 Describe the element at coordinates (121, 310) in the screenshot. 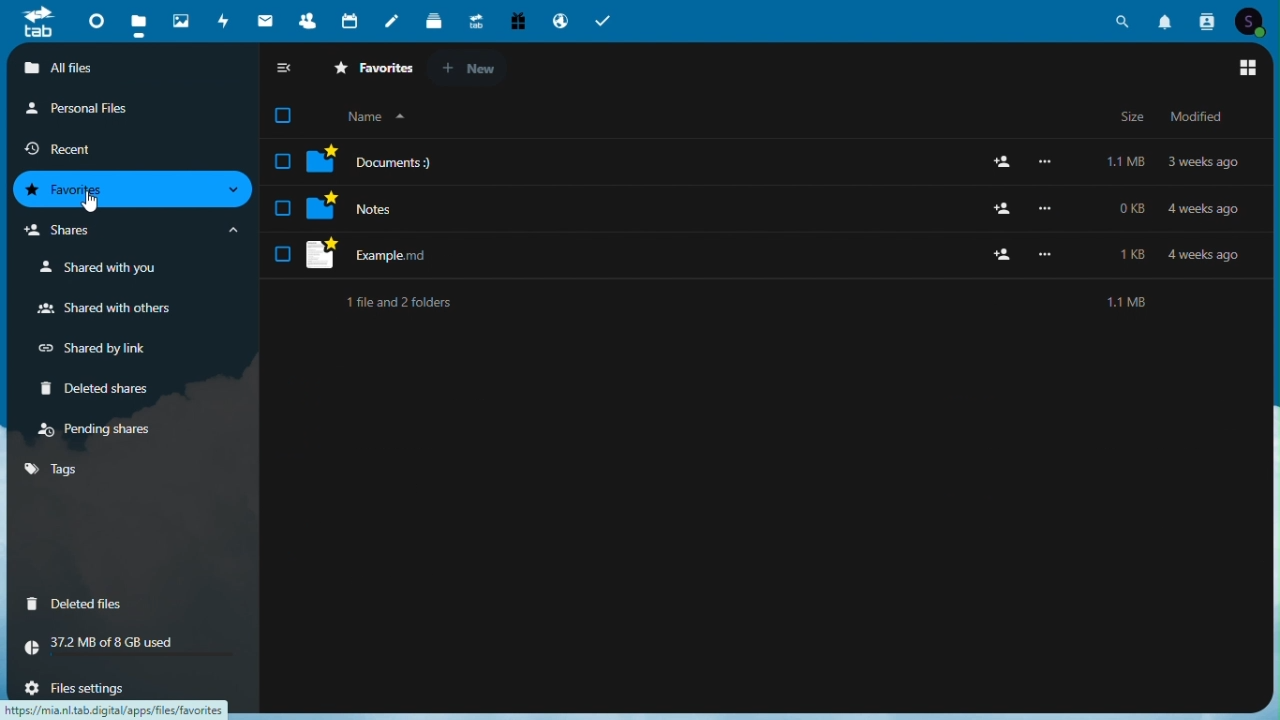

I see `Shared with others` at that location.